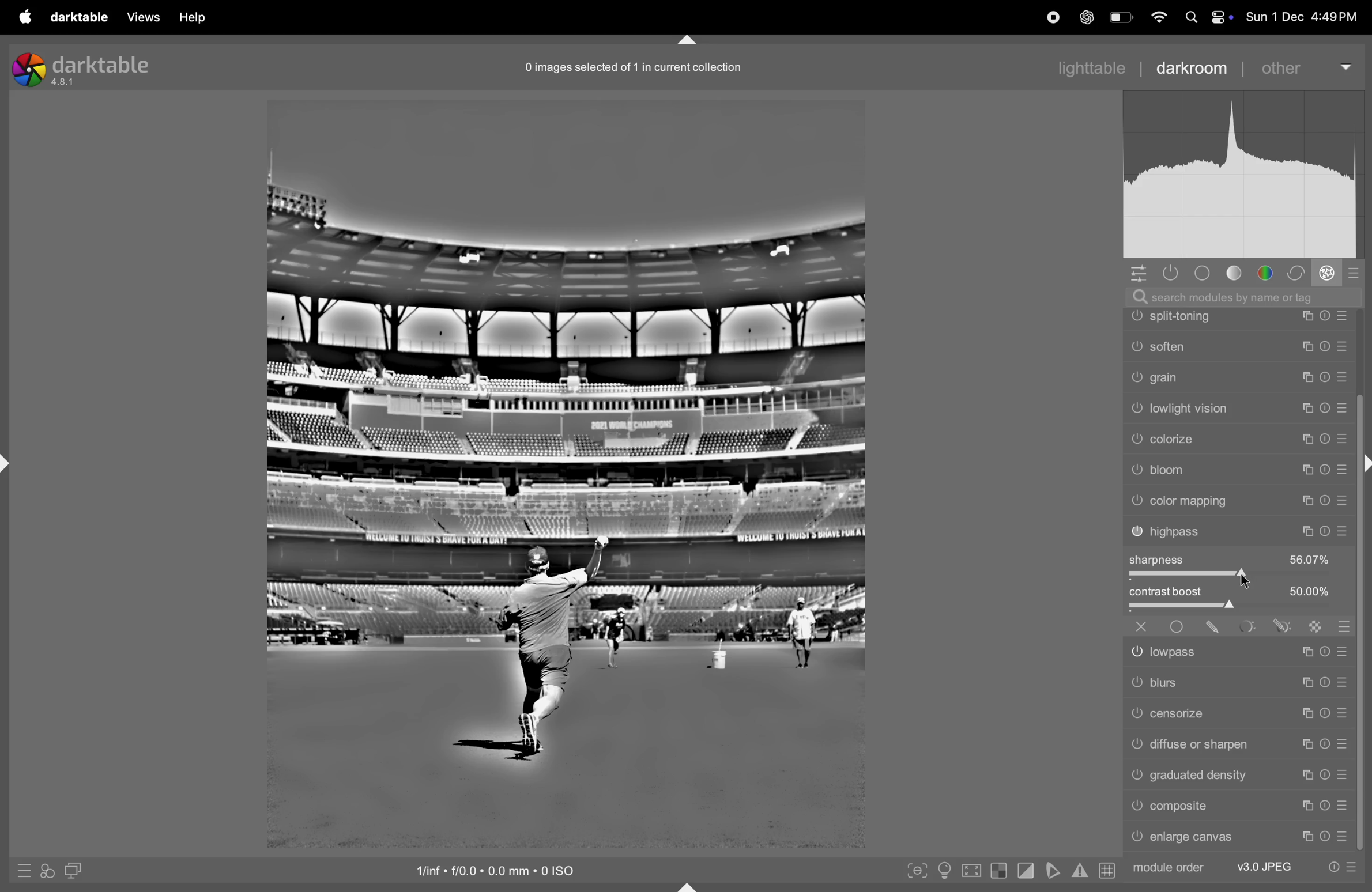 This screenshot has height=892, width=1372. What do you see at coordinates (1239, 561) in the screenshot?
I see `bloom` at bounding box center [1239, 561].